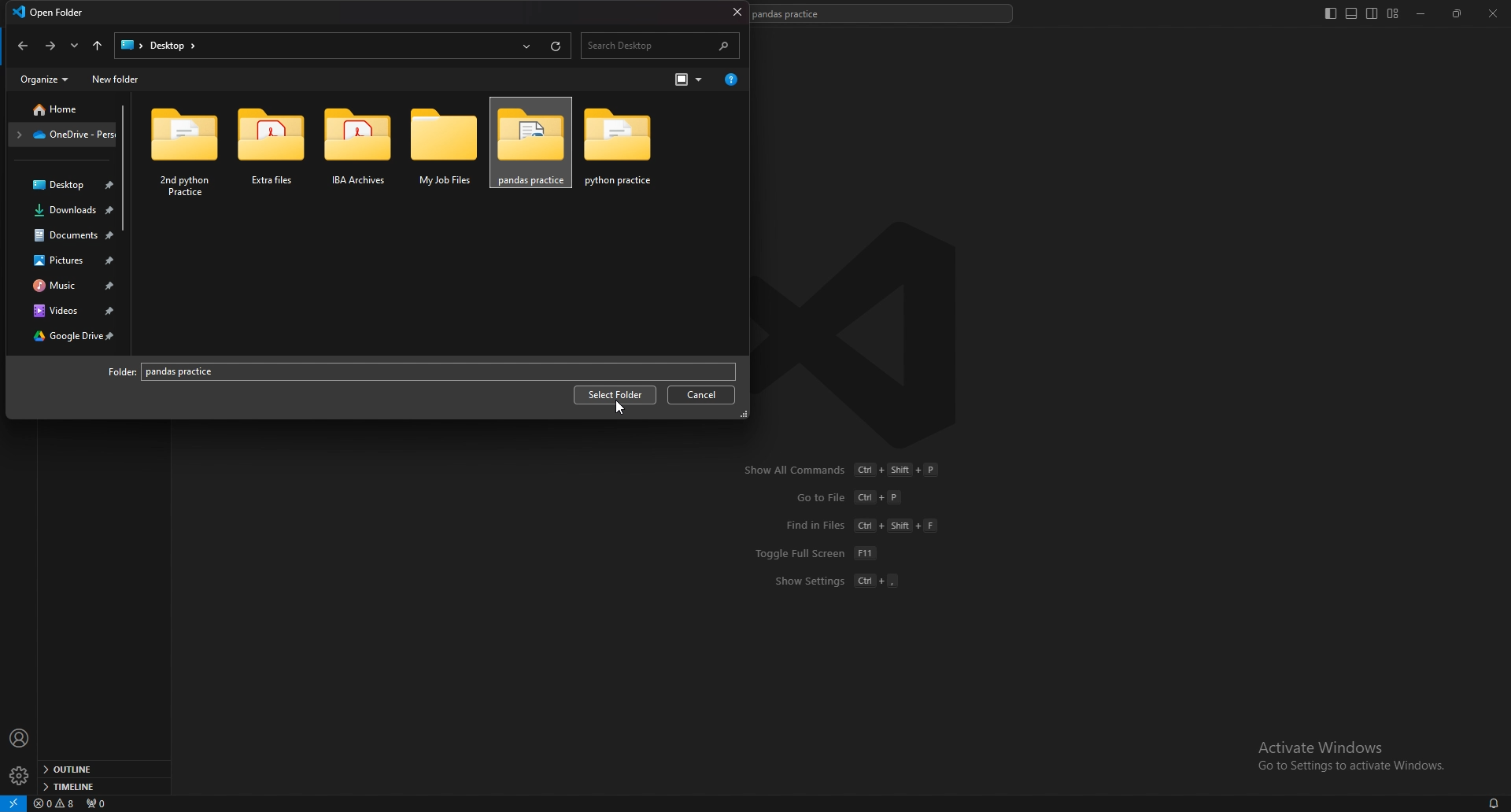 This screenshot has width=1511, height=812. Describe the element at coordinates (99, 44) in the screenshot. I see `upto locations` at that location.